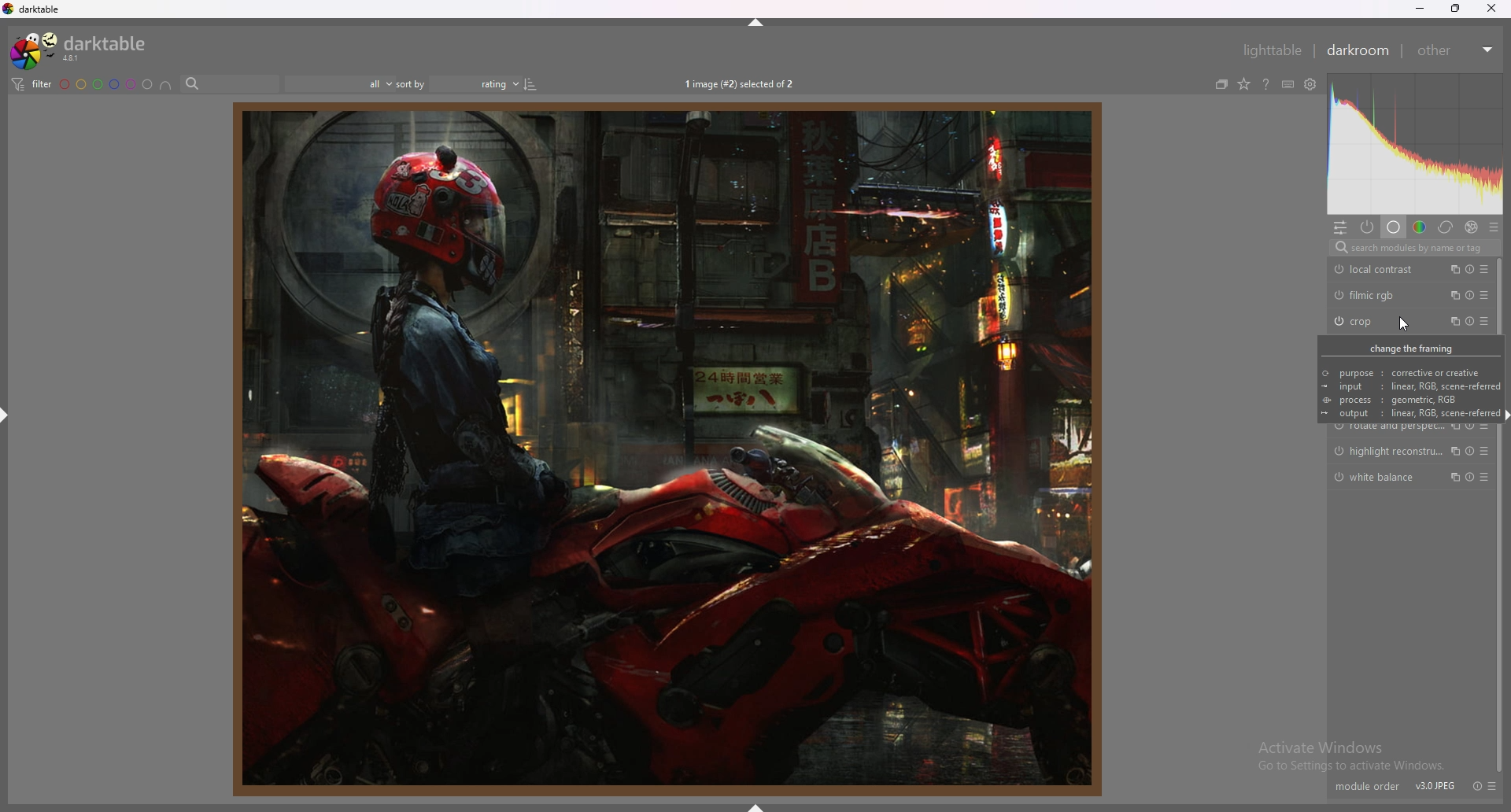 The height and width of the screenshot is (812, 1511). What do you see at coordinates (1493, 786) in the screenshot?
I see `presets` at bounding box center [1493, 786].